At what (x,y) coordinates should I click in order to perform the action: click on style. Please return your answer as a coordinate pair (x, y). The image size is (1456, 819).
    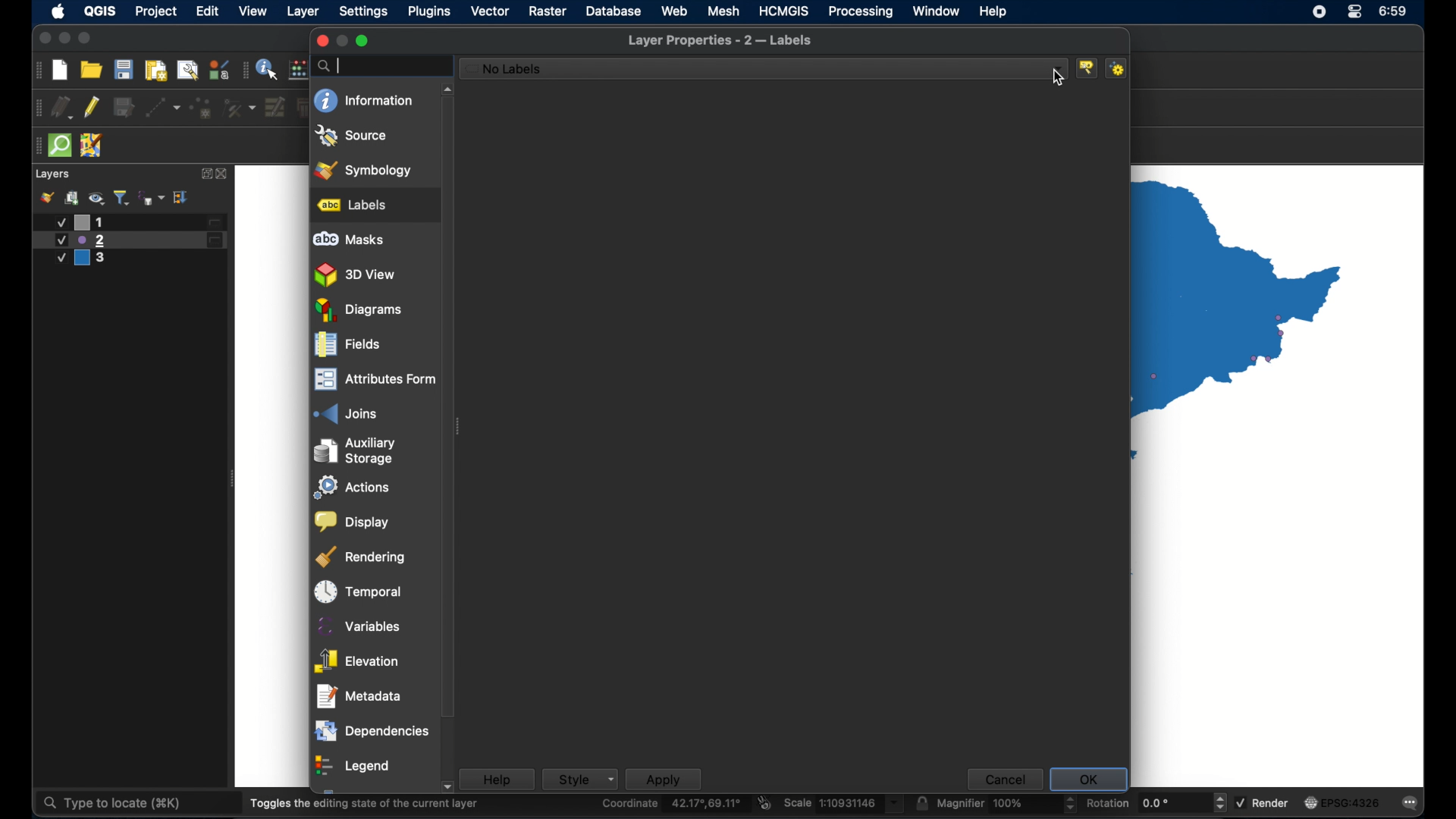
    Looking at the image, I should click on (579, 779).